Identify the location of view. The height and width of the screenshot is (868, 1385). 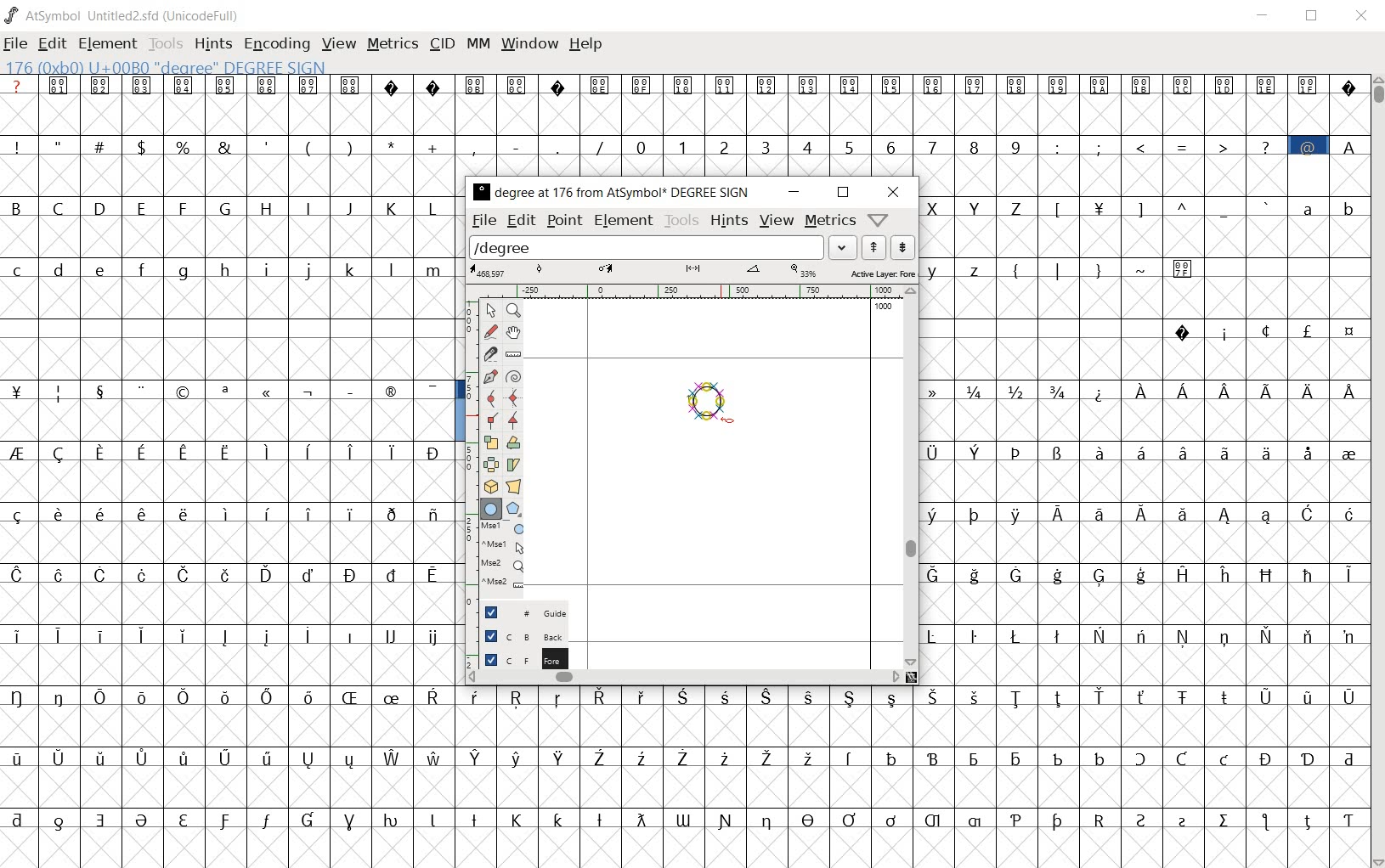
(337, 44).